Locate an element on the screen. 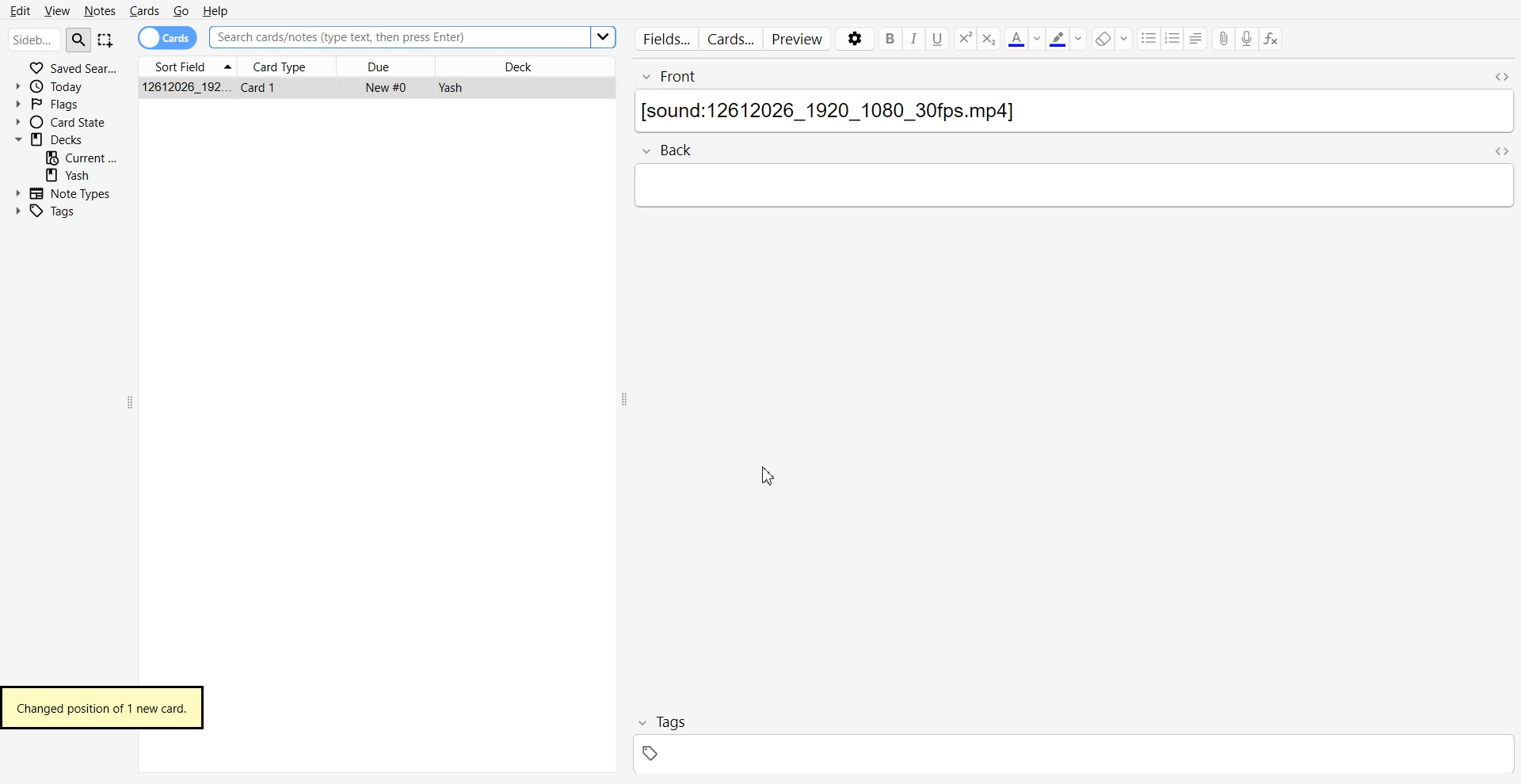 The image size is (1521, 784). Allignment is located at coordinates (1197, 38).